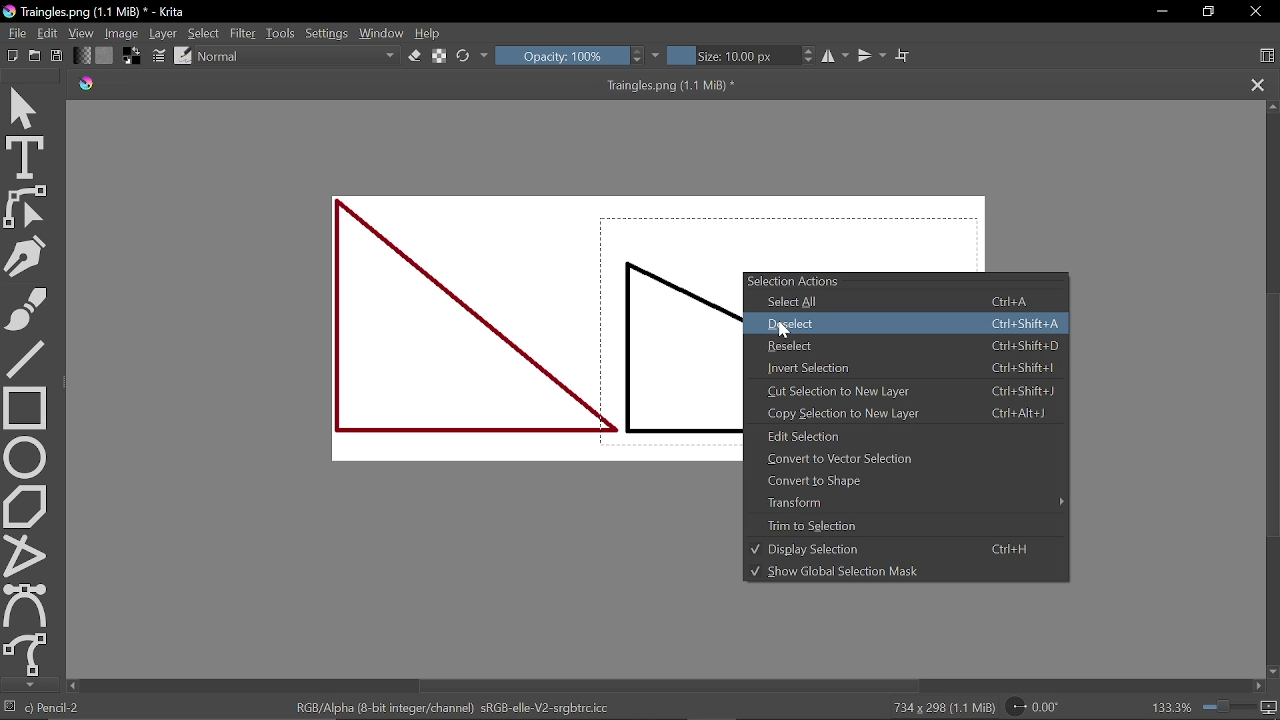 The image size is (1280, 720). I want to click on Help, so click(430, 34).